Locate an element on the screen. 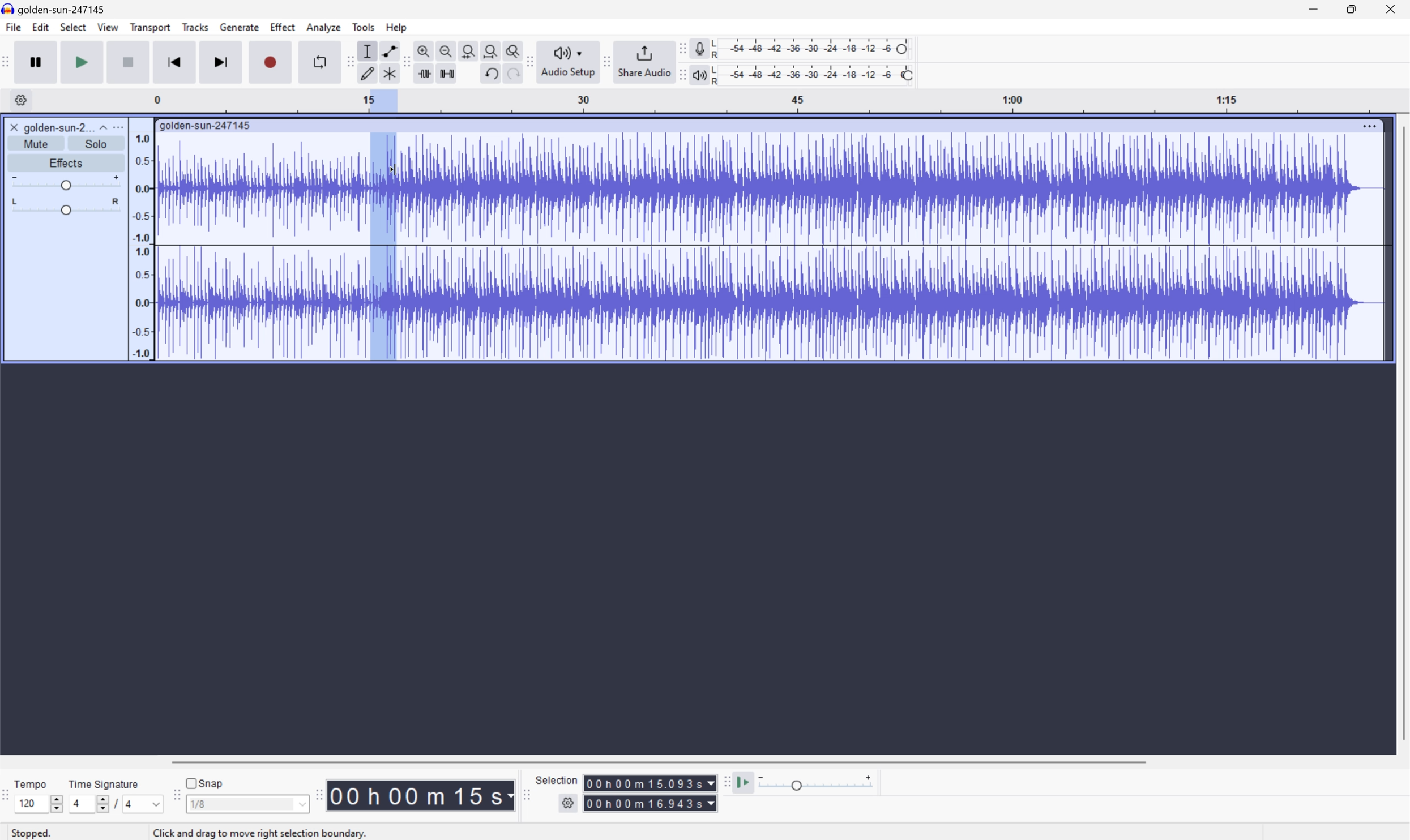  Drop Down is located at coordinates (301, 806).